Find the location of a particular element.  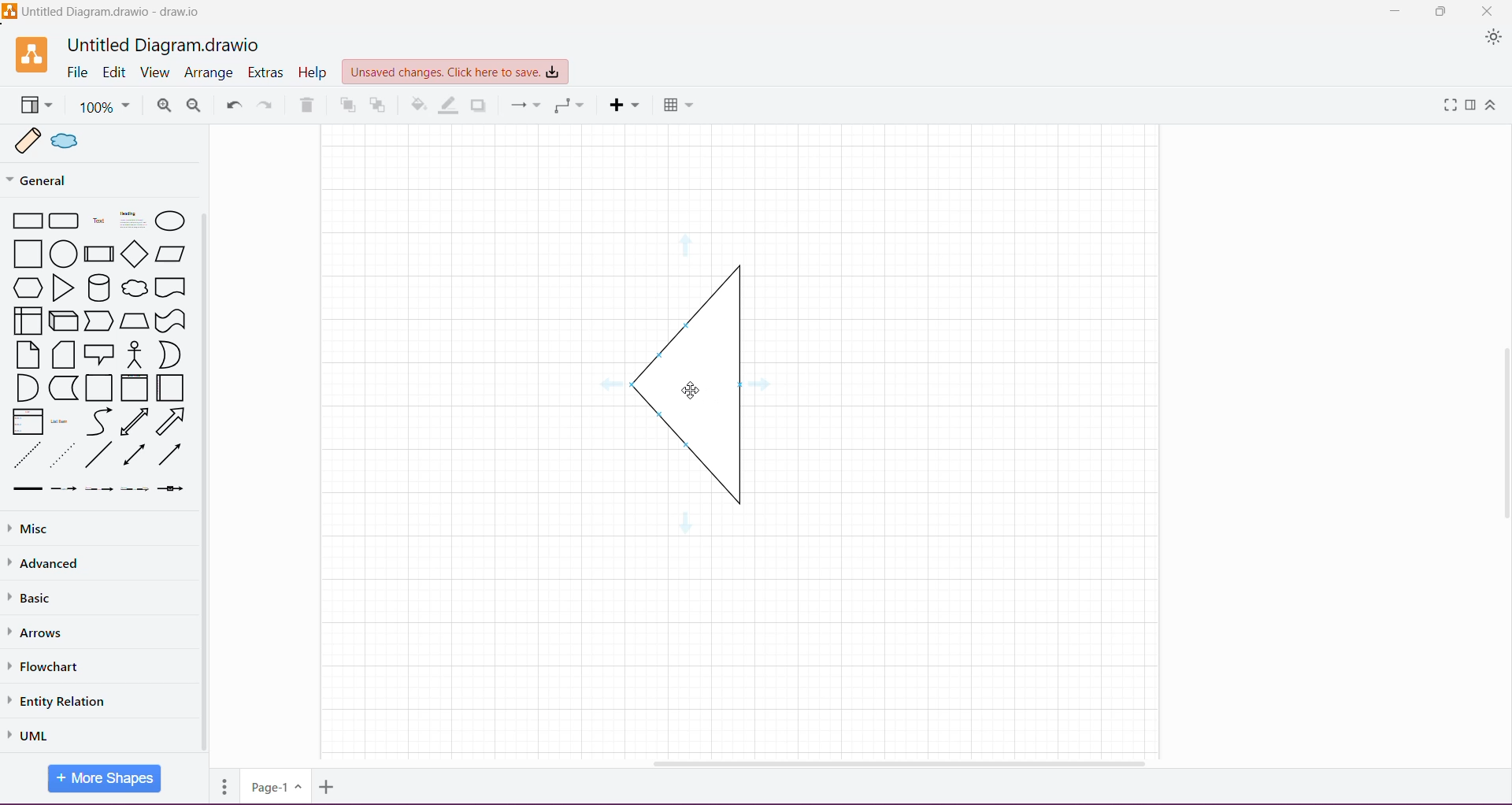

Minimize is located at coordinates (1394, 12).